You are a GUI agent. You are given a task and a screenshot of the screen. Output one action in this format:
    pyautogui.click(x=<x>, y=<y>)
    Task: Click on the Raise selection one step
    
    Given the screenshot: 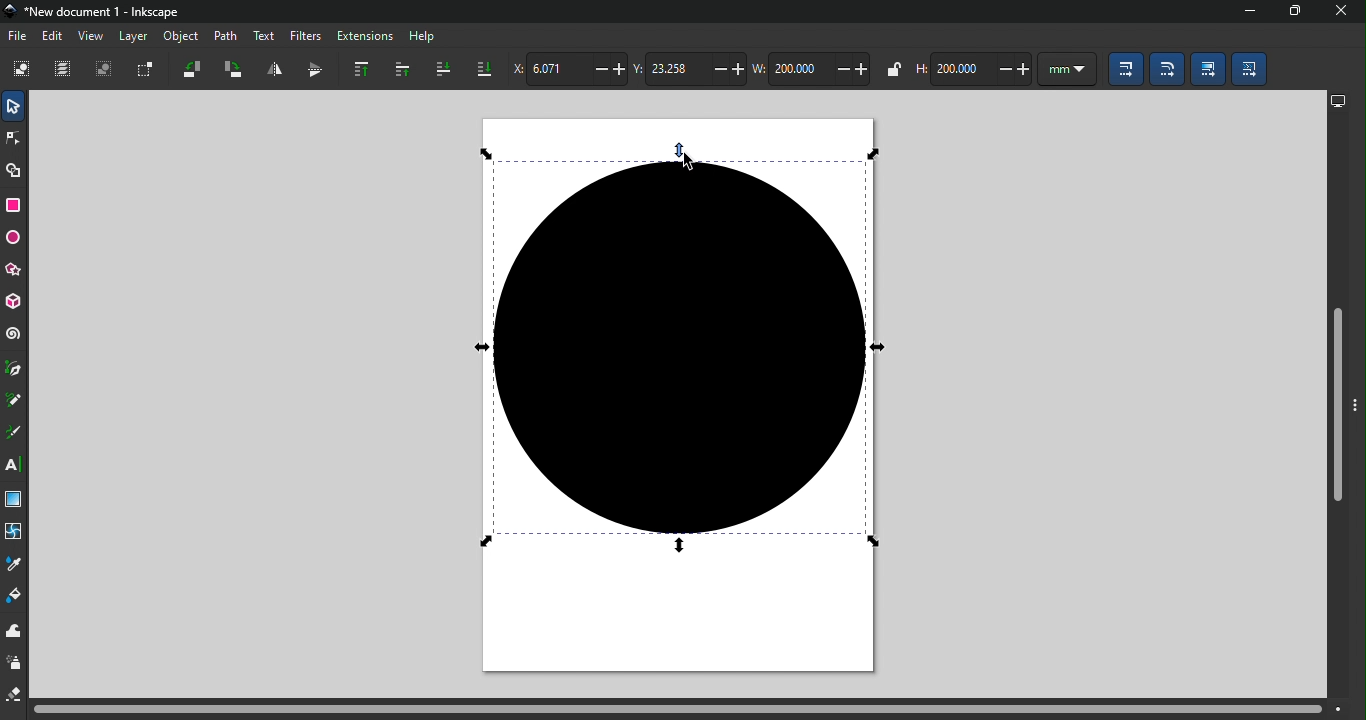 What is the action you would take?
    pyautogui.click(x=402, y=72)
    